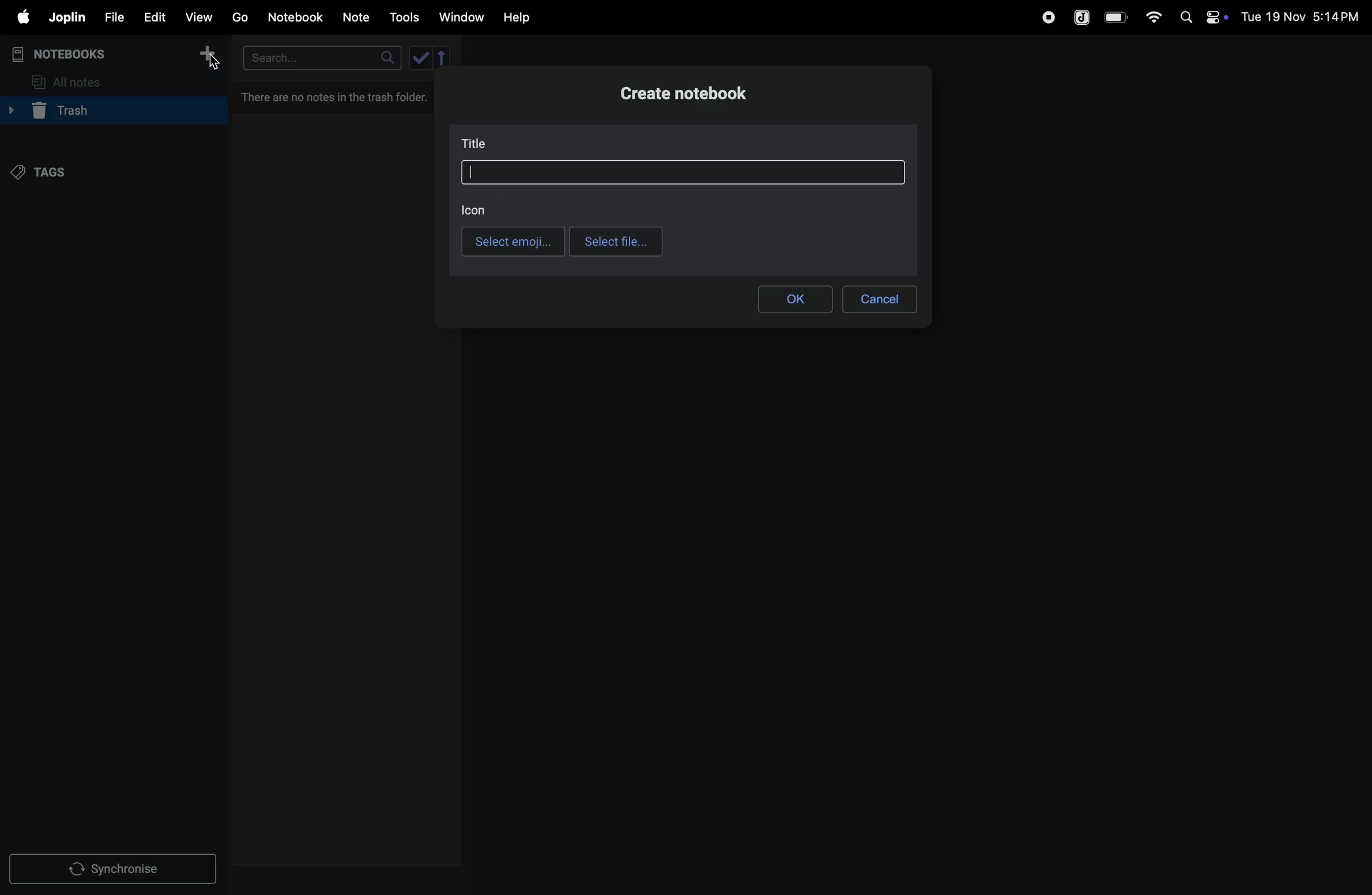 The image size is (1372, 895). What do you see at coordinates (422, 58) in the screenshot?
I see `check` at bounding box center [422, 58].